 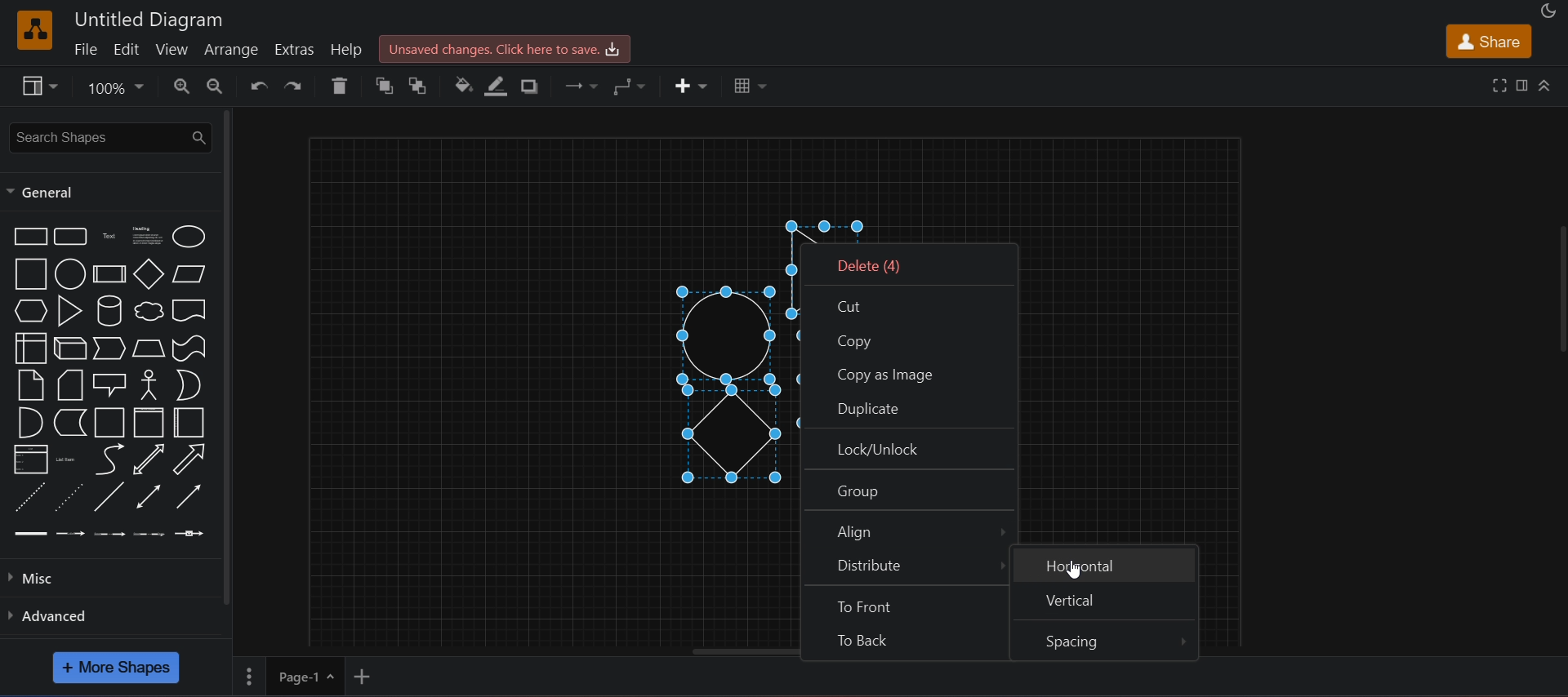 I want to click on logo, so click(x=35, y=29).